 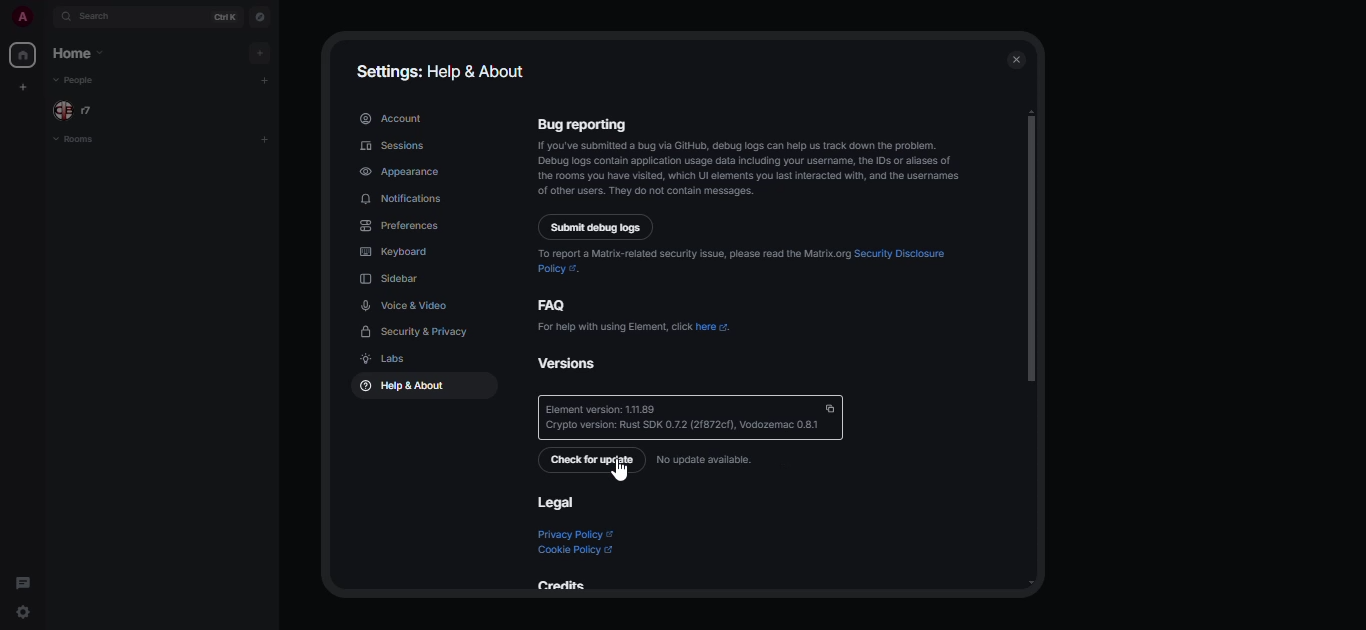 What do you see at coordinates (259, 14) in the screenshot?
I see `navigator` at bounding box center [259, 14].